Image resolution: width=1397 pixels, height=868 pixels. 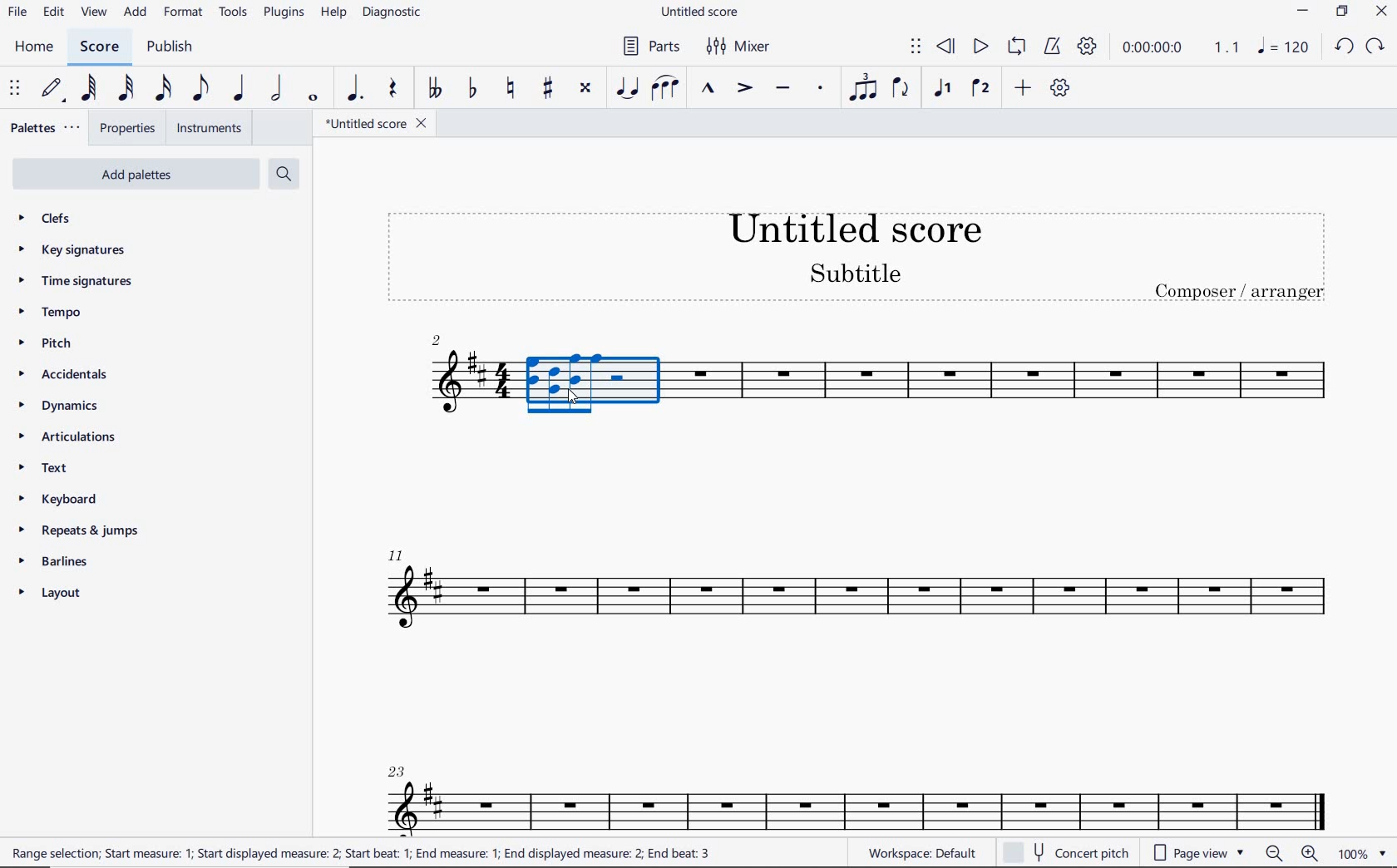 I want to click on TENUTO, so click(x=782, y=90).